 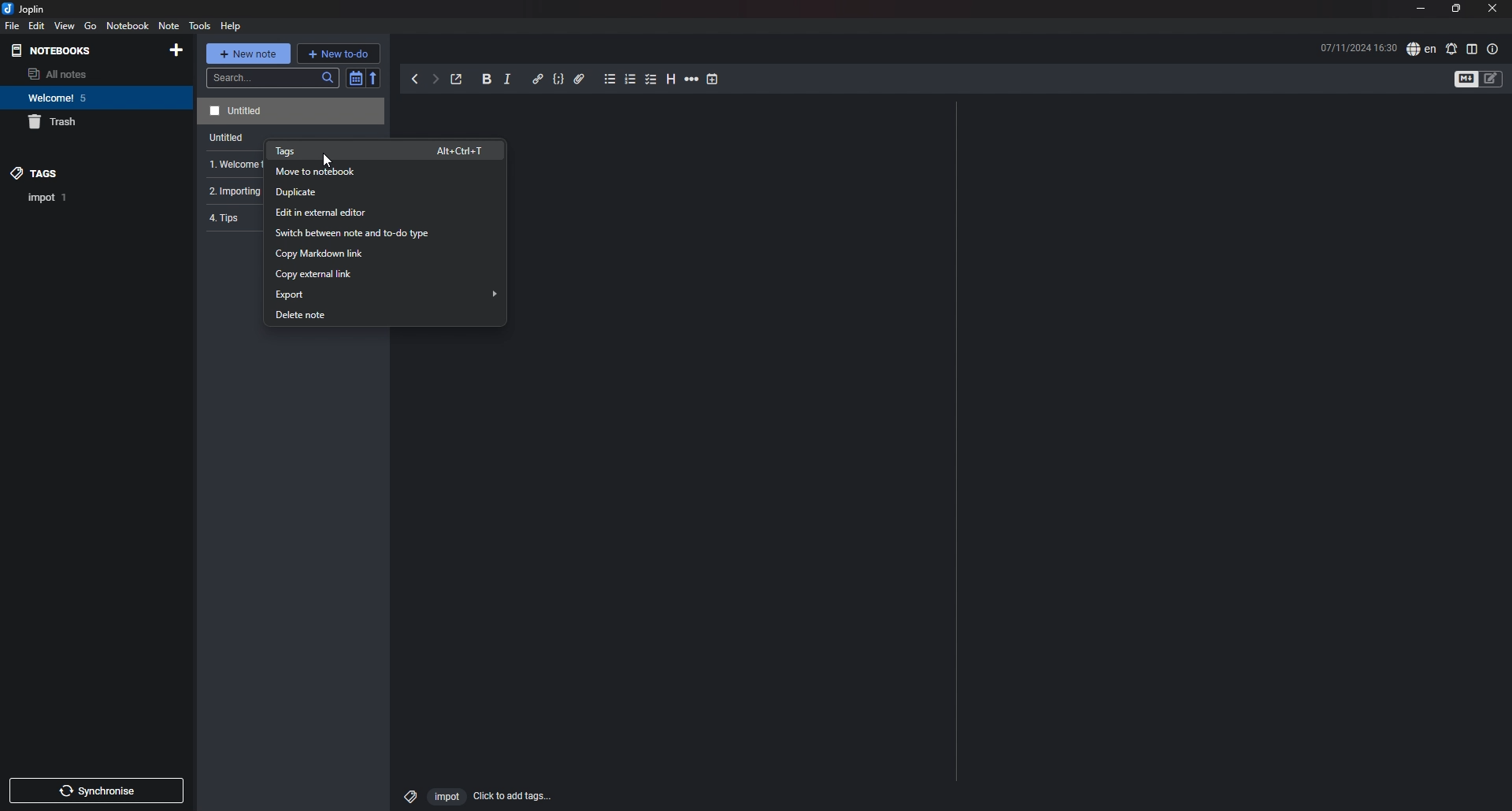 I want to click on 1. Welcome, so click(x=229, y=165).